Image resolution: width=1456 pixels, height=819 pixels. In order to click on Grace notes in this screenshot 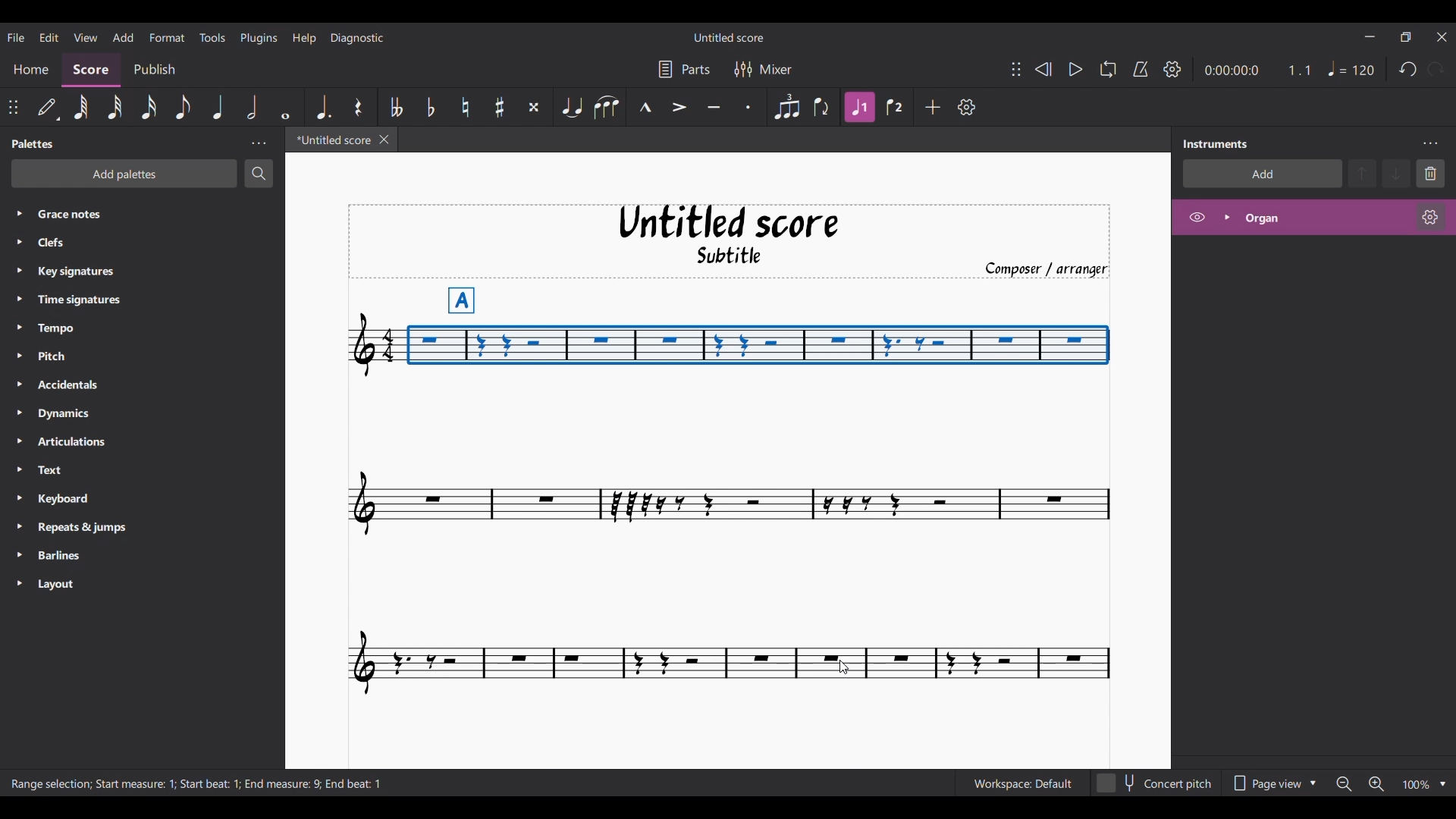, I will do `click(153, 212)`.